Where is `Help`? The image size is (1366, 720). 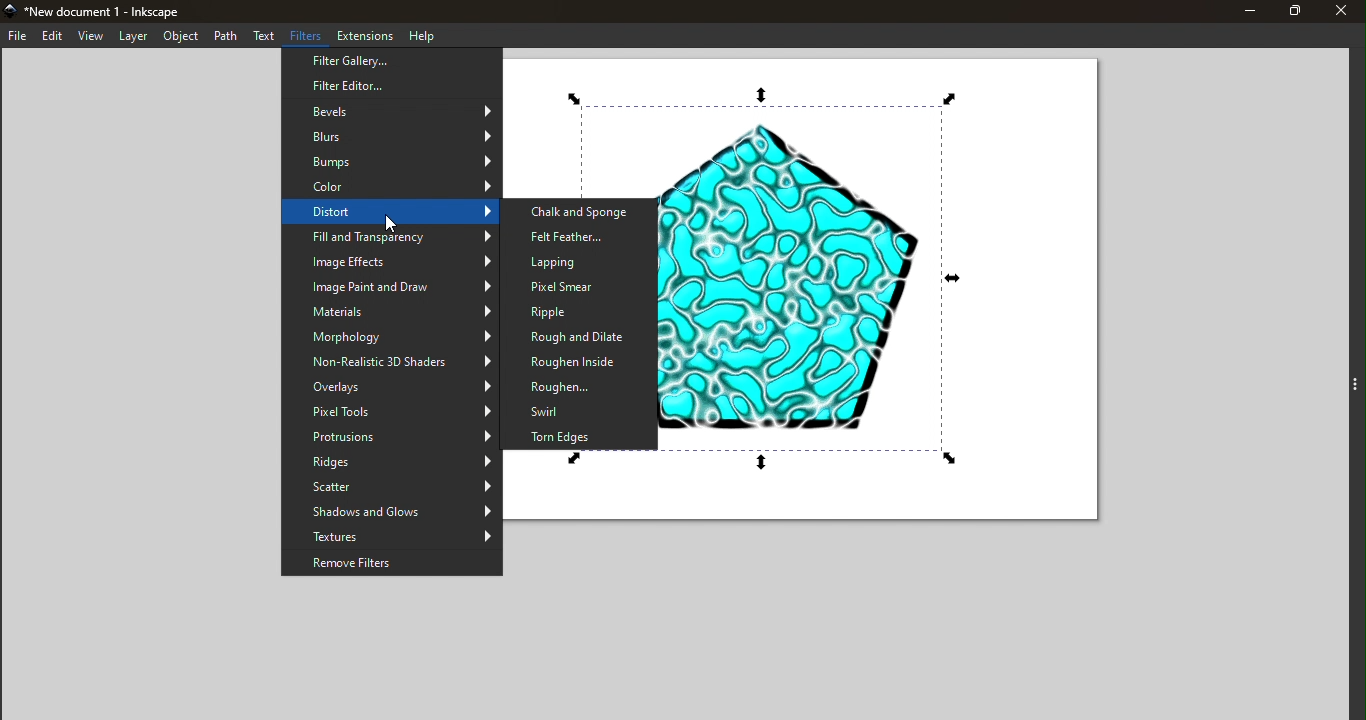
Help is located at coordinates (421, 34).